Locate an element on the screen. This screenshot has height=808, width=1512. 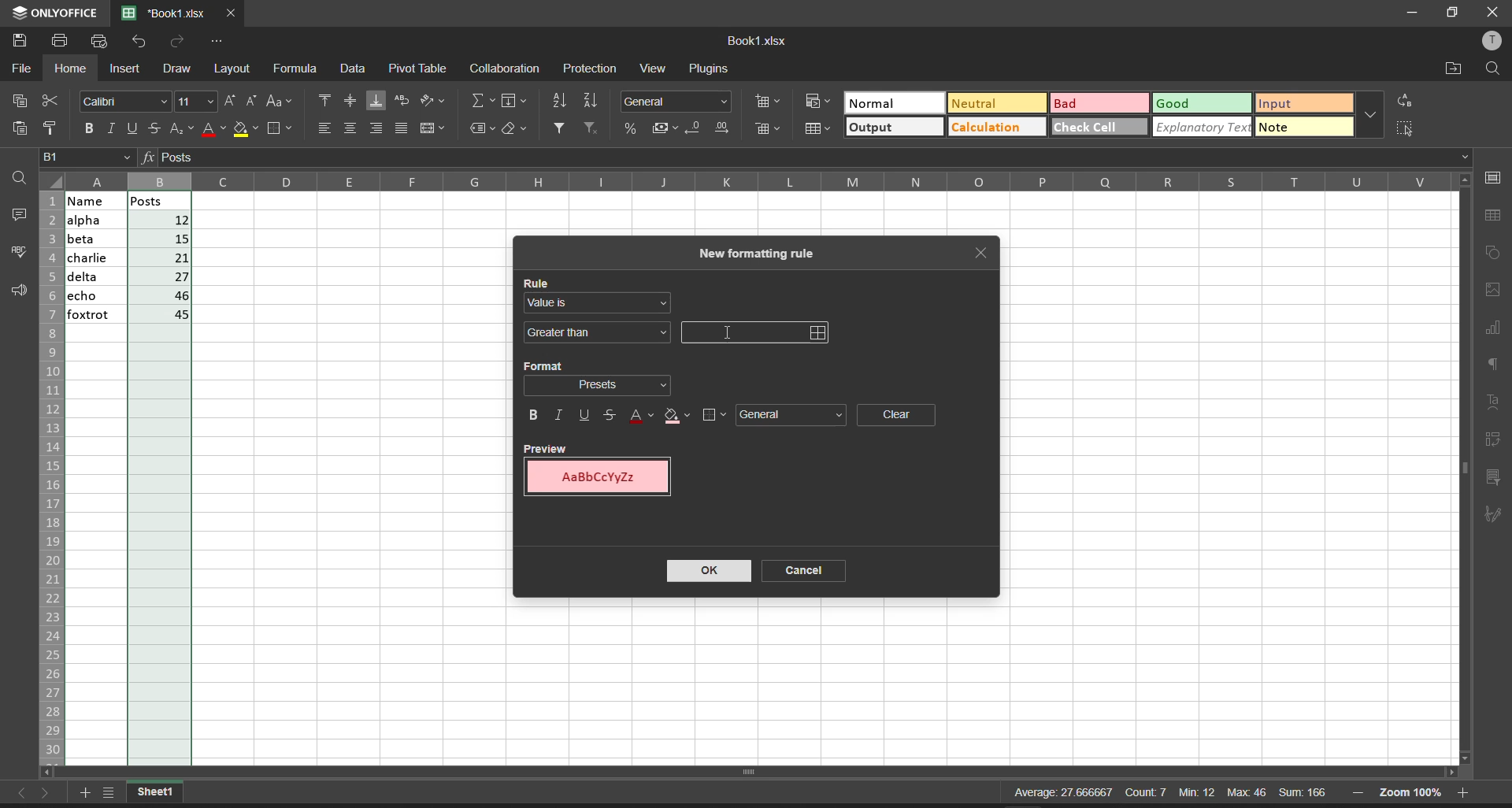
cut is located at coordinates (53, 102).